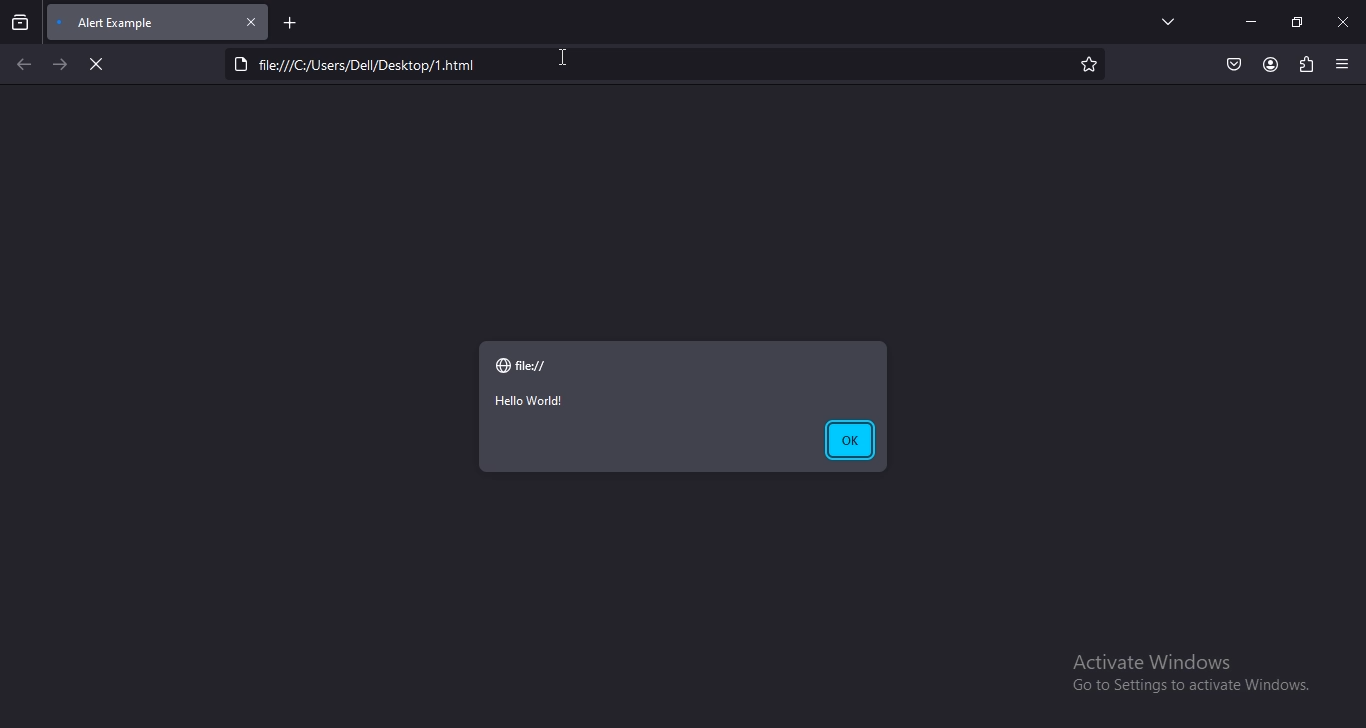 Image resolution: width=1366 pixels, height=728 pixels. I want to click on refresh, so click(96, 66).